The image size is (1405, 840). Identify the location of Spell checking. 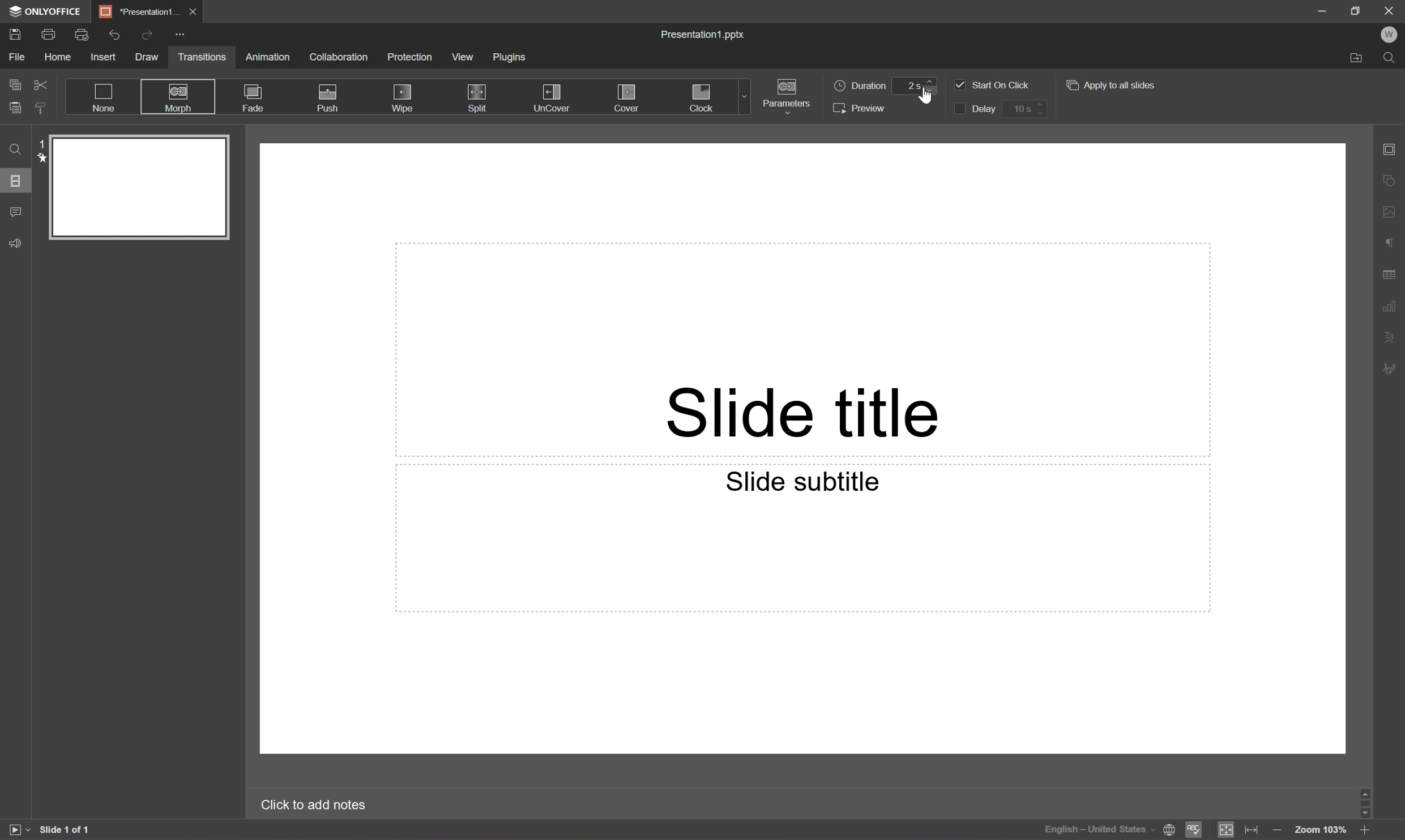
(1192, 832).